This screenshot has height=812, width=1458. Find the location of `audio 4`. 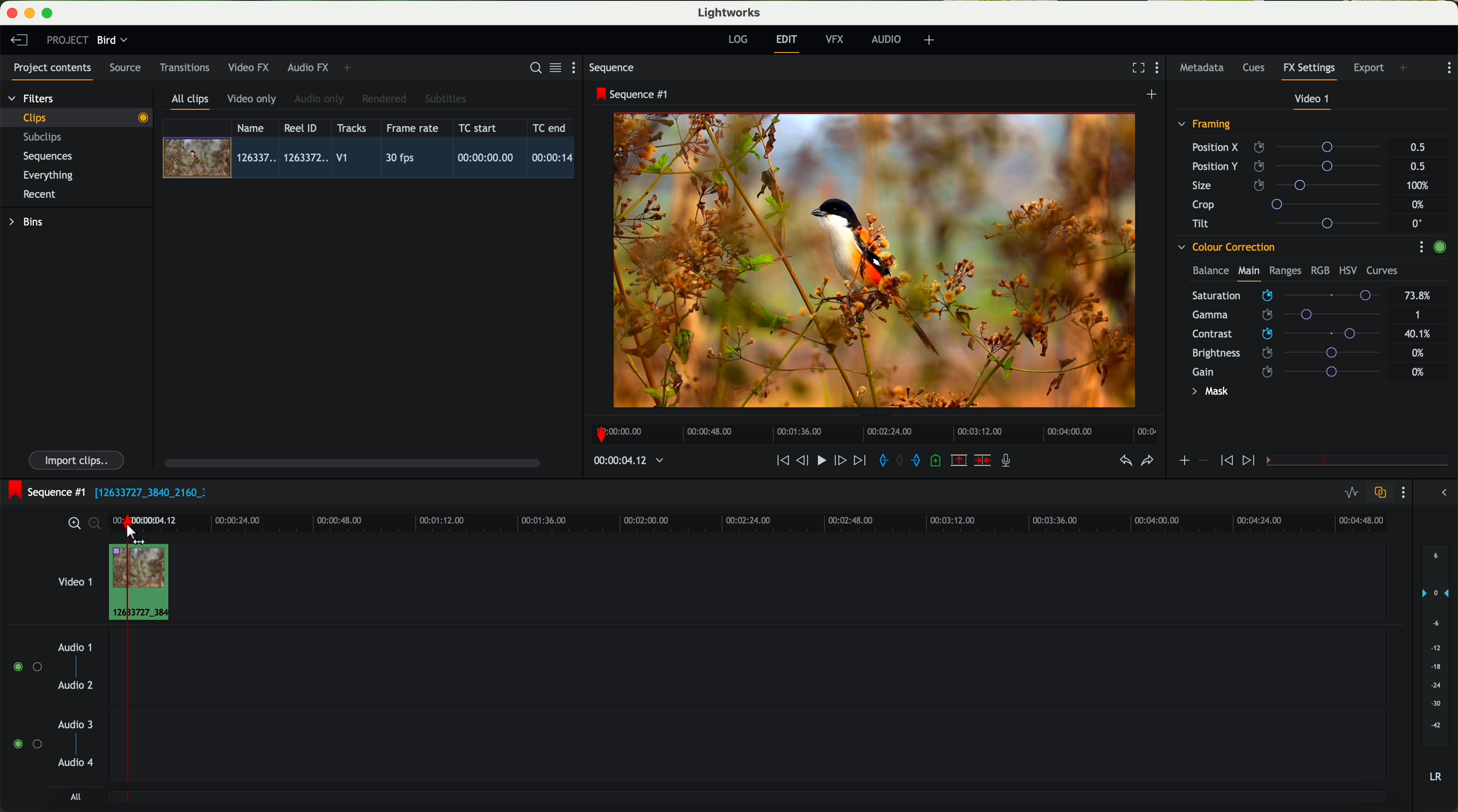

audio 4 is located at coordinates (76, 763).